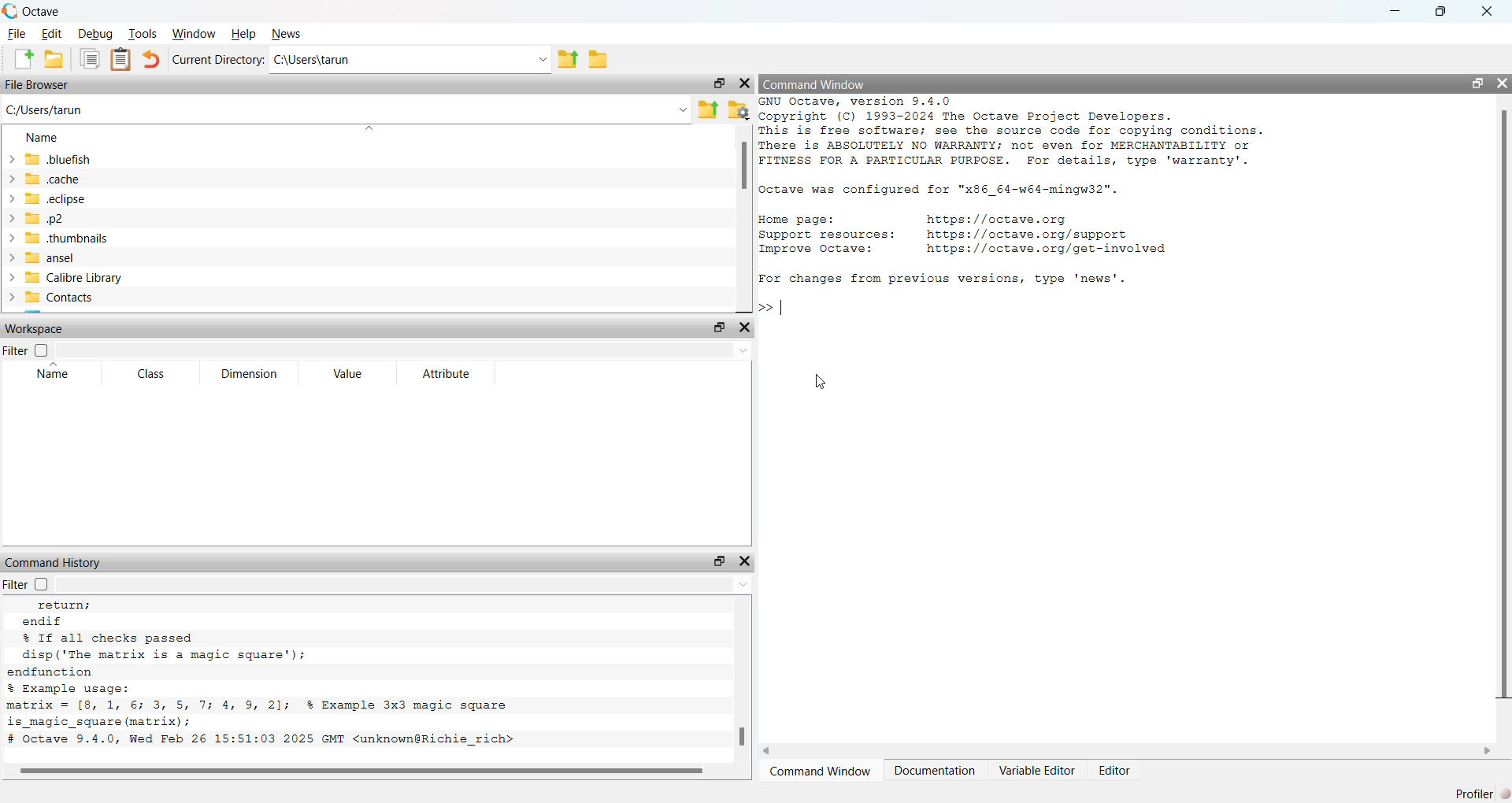  What do you see at coordinates (194, 34) in the screenshot?
I see `Window` at bounding box center [194, 34].